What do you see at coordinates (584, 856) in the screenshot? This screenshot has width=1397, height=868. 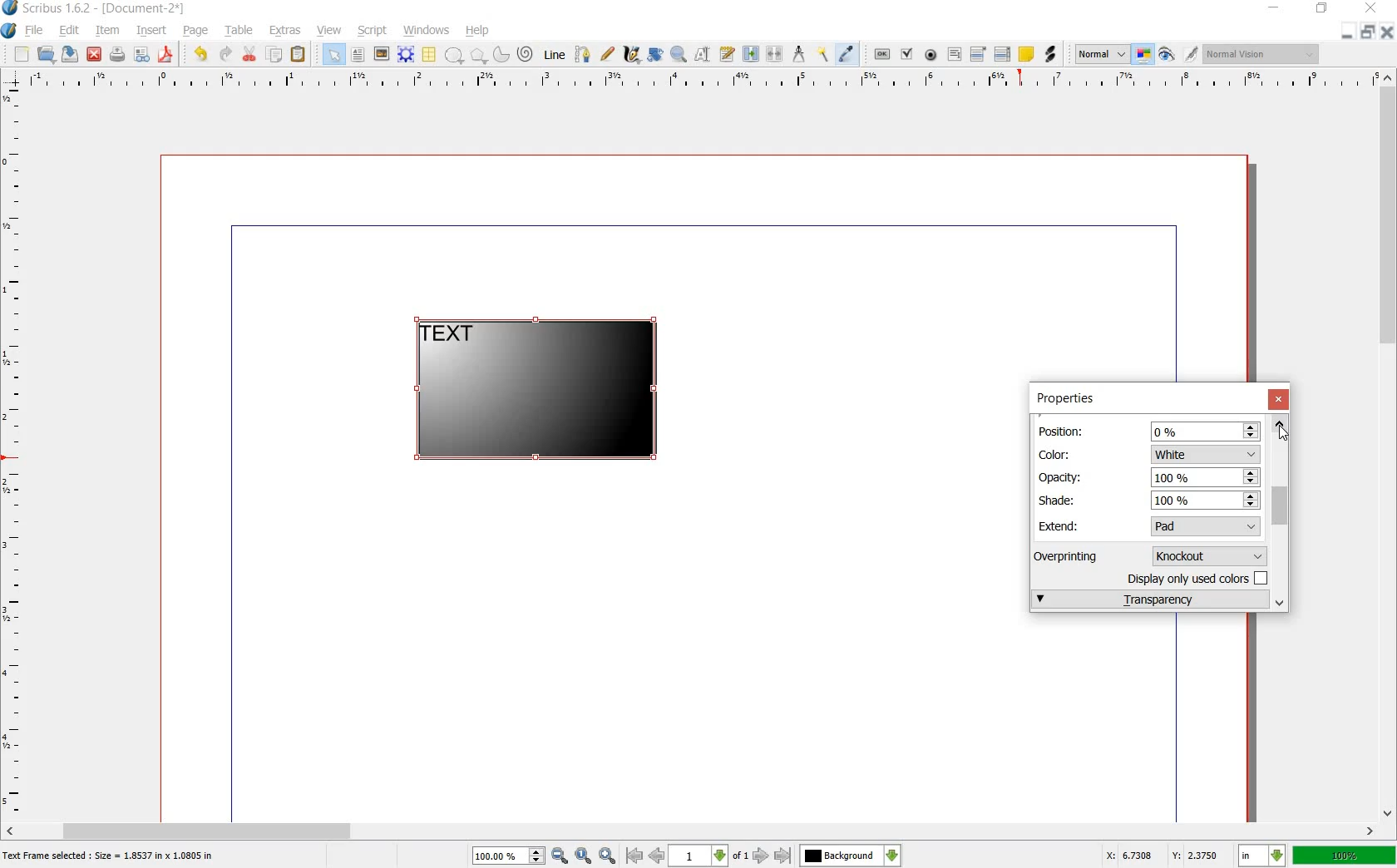 I see `zoom to` at bounding box center [584, 856].